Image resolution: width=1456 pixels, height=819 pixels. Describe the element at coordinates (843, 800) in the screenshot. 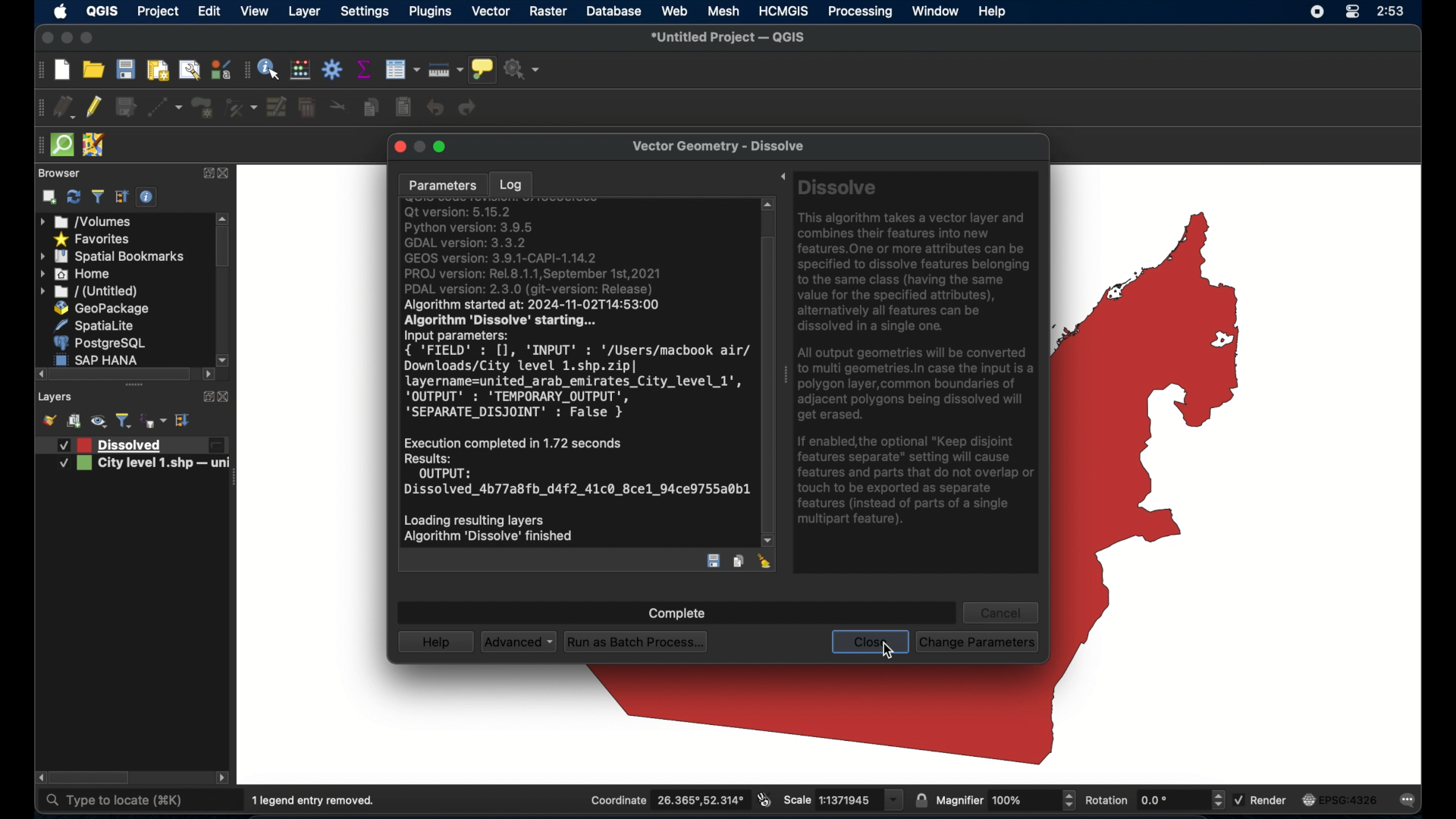

I see `scale` at that location.